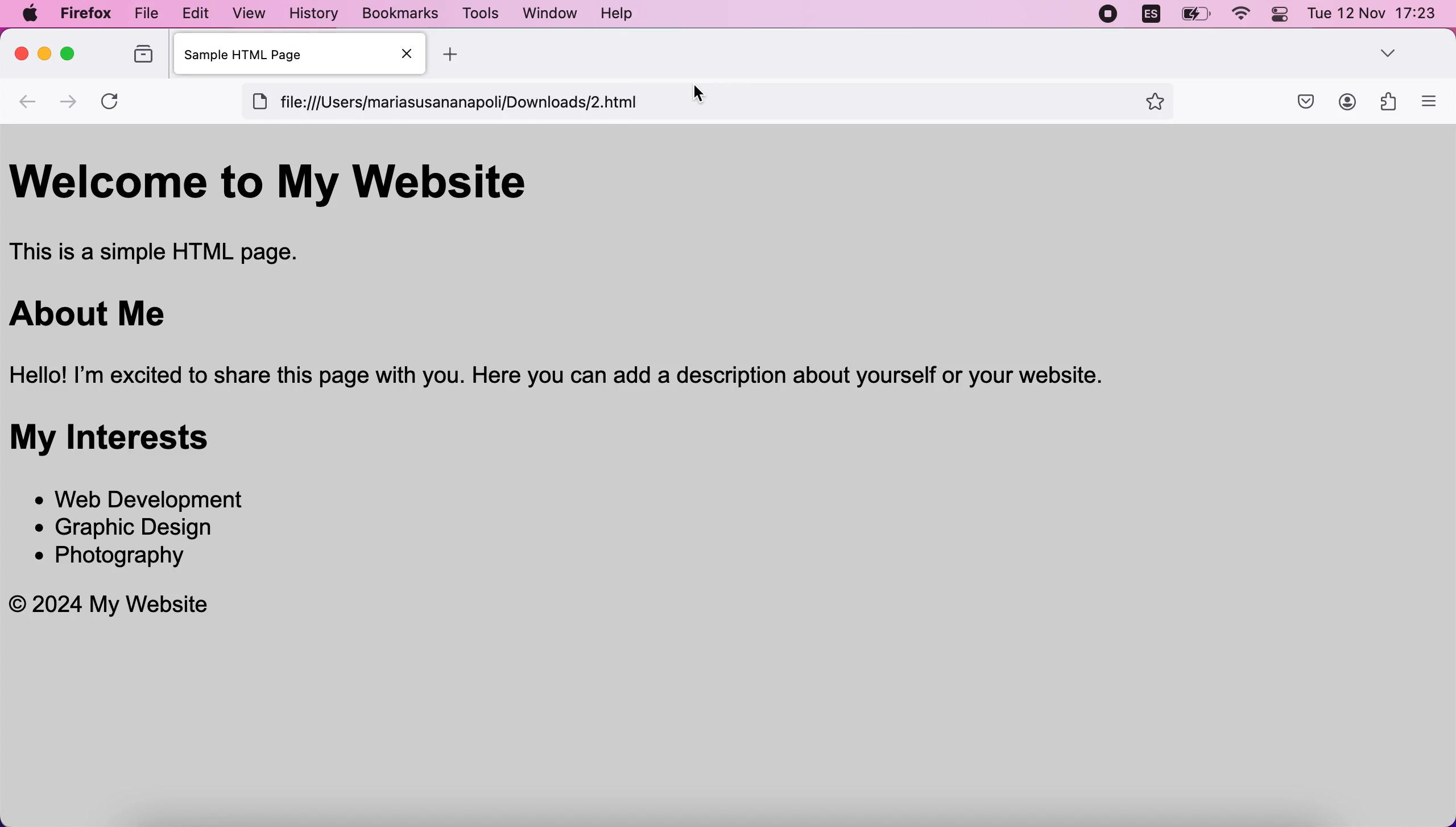  Describe the element at coordinates (1389, 101) in the screenshot. I see `extensions` at that location.